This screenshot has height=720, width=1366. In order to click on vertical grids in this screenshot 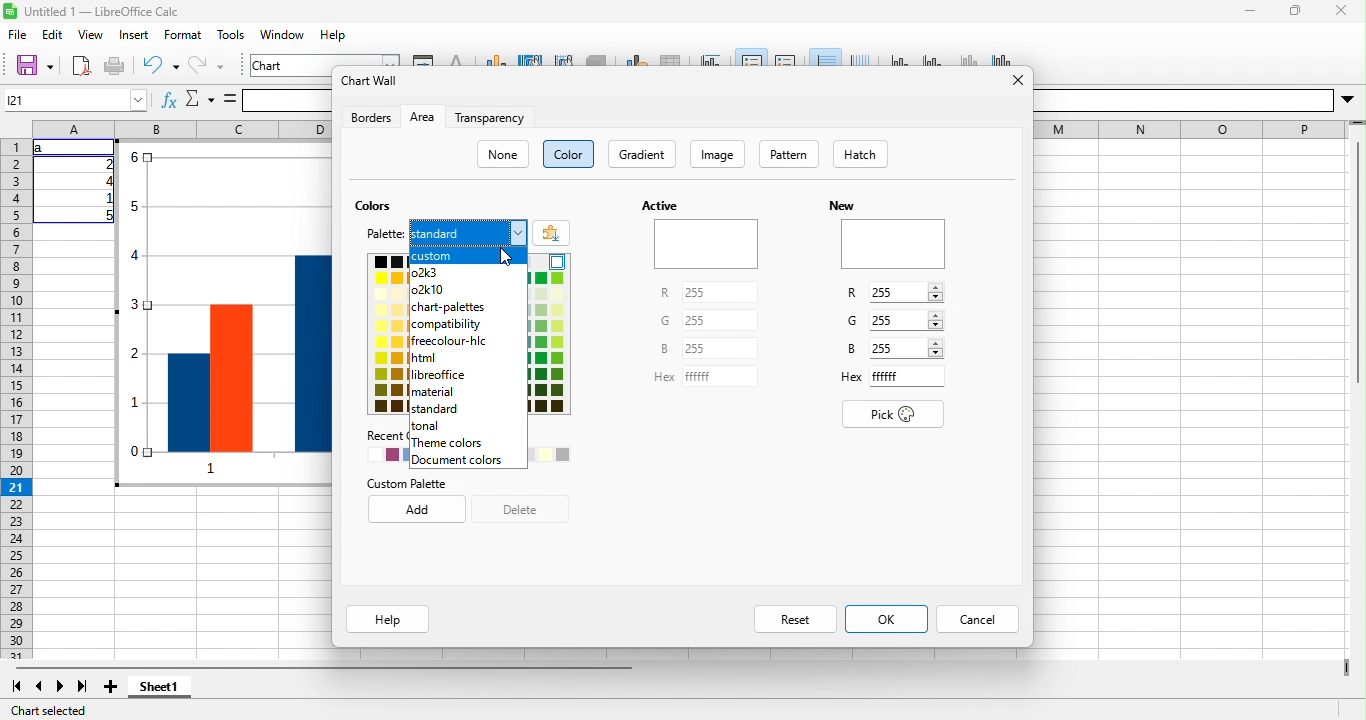, I will do `click(860, 58)`.